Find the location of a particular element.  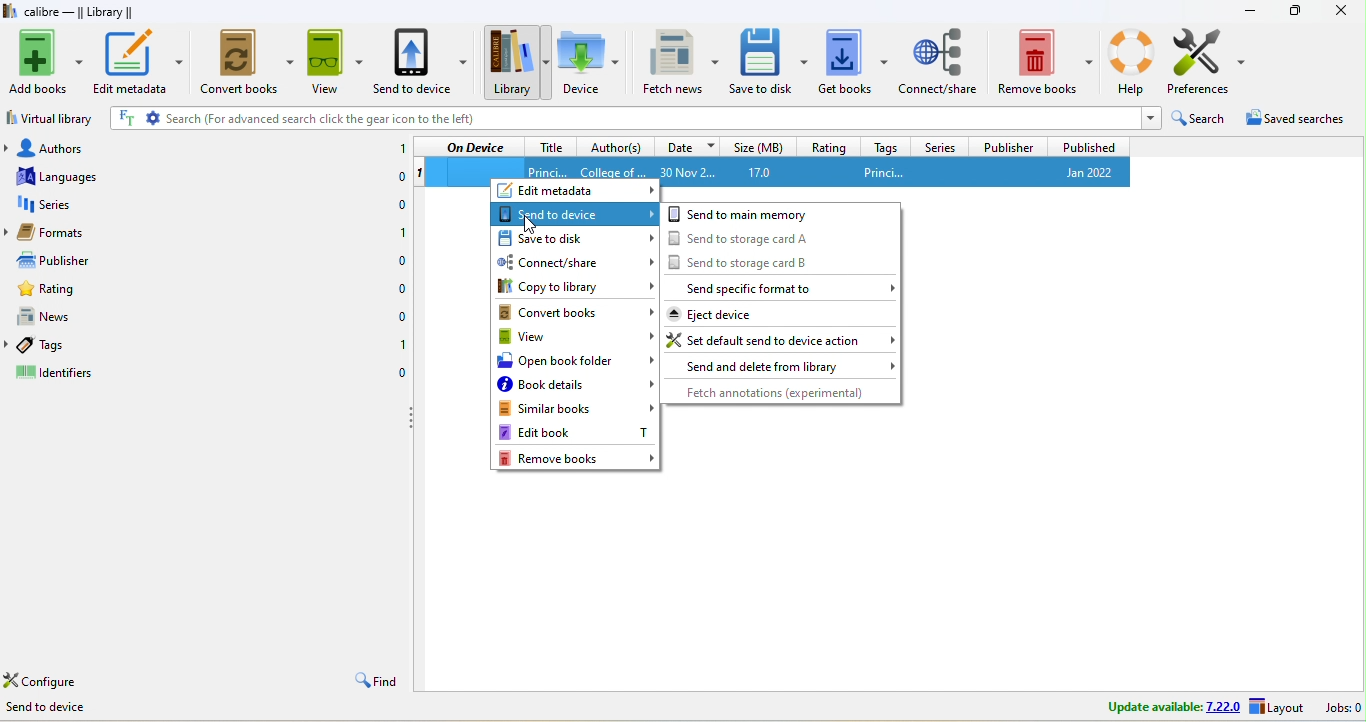

search is located at coordinates (1200, 121).